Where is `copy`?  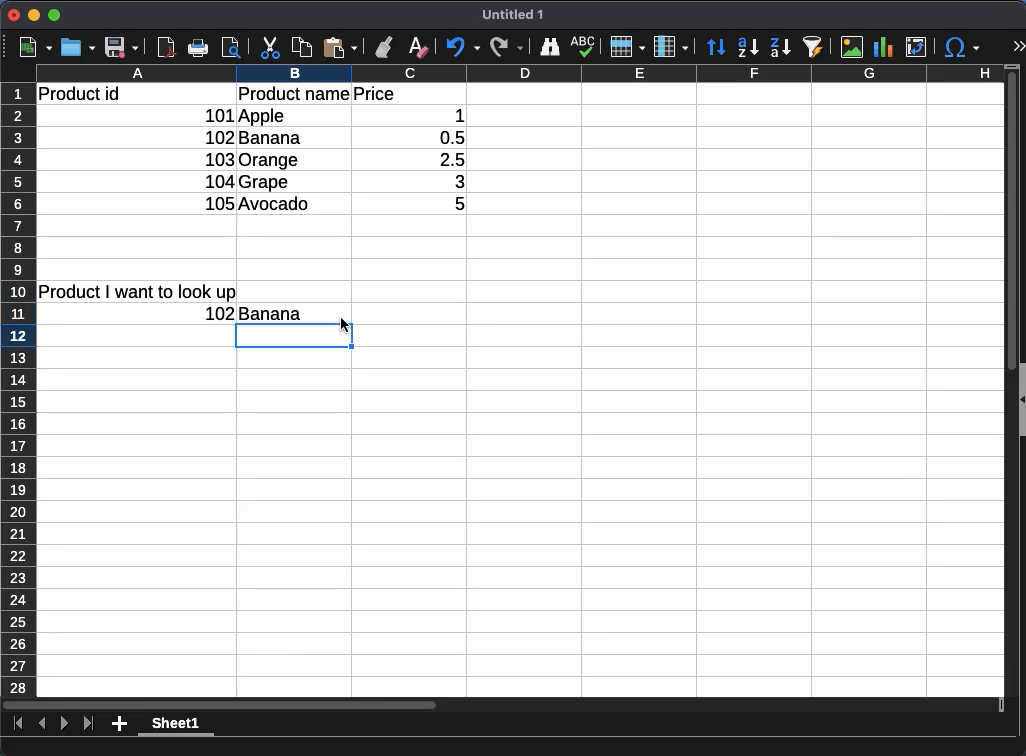
copy is located at coordinates (302, 47).